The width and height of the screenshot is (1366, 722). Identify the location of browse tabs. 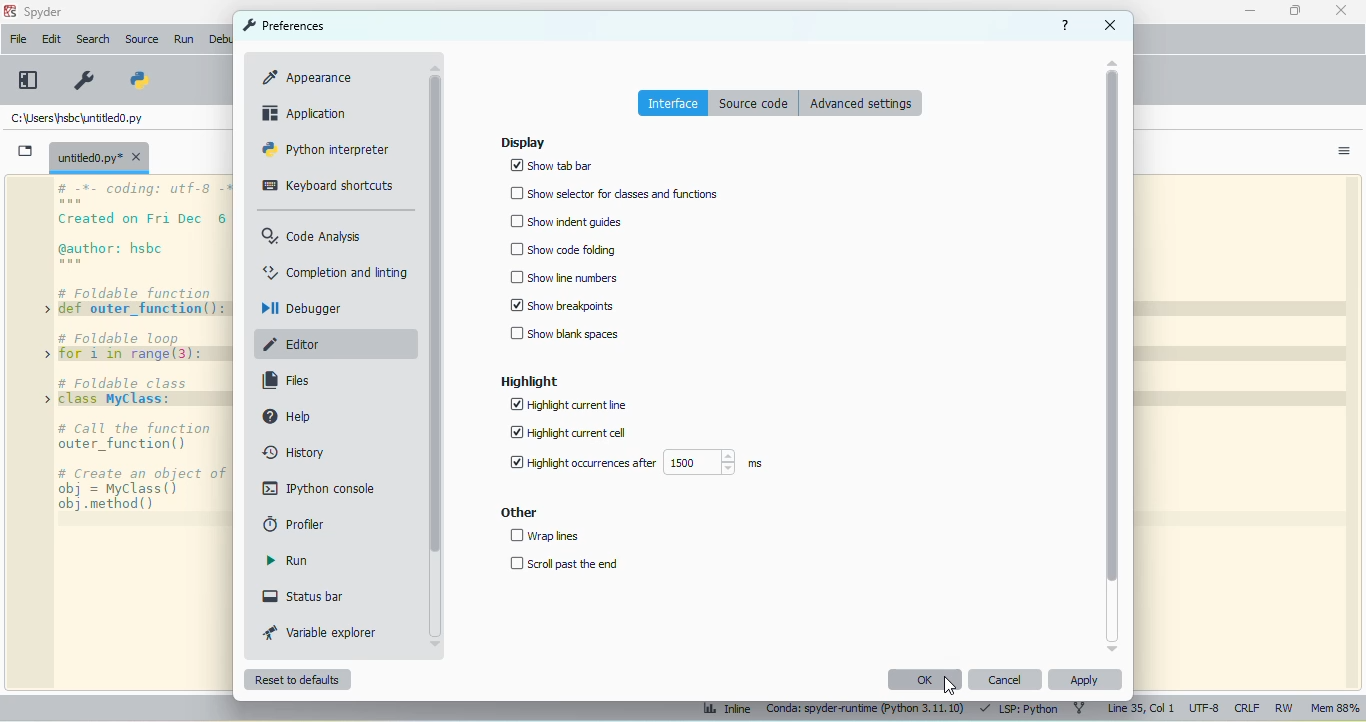
(26, 151).